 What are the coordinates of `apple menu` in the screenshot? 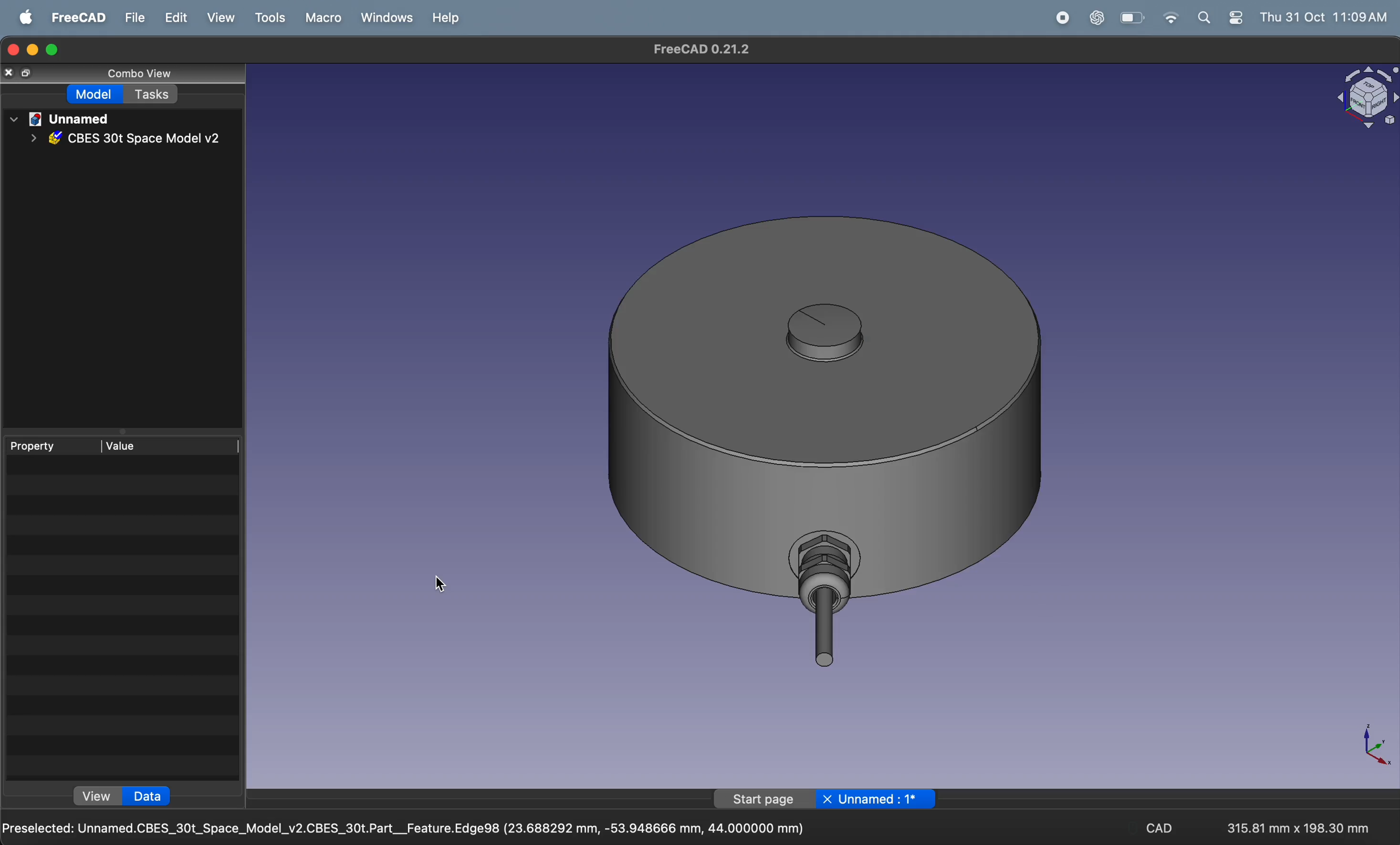 It's located at (21, 16).